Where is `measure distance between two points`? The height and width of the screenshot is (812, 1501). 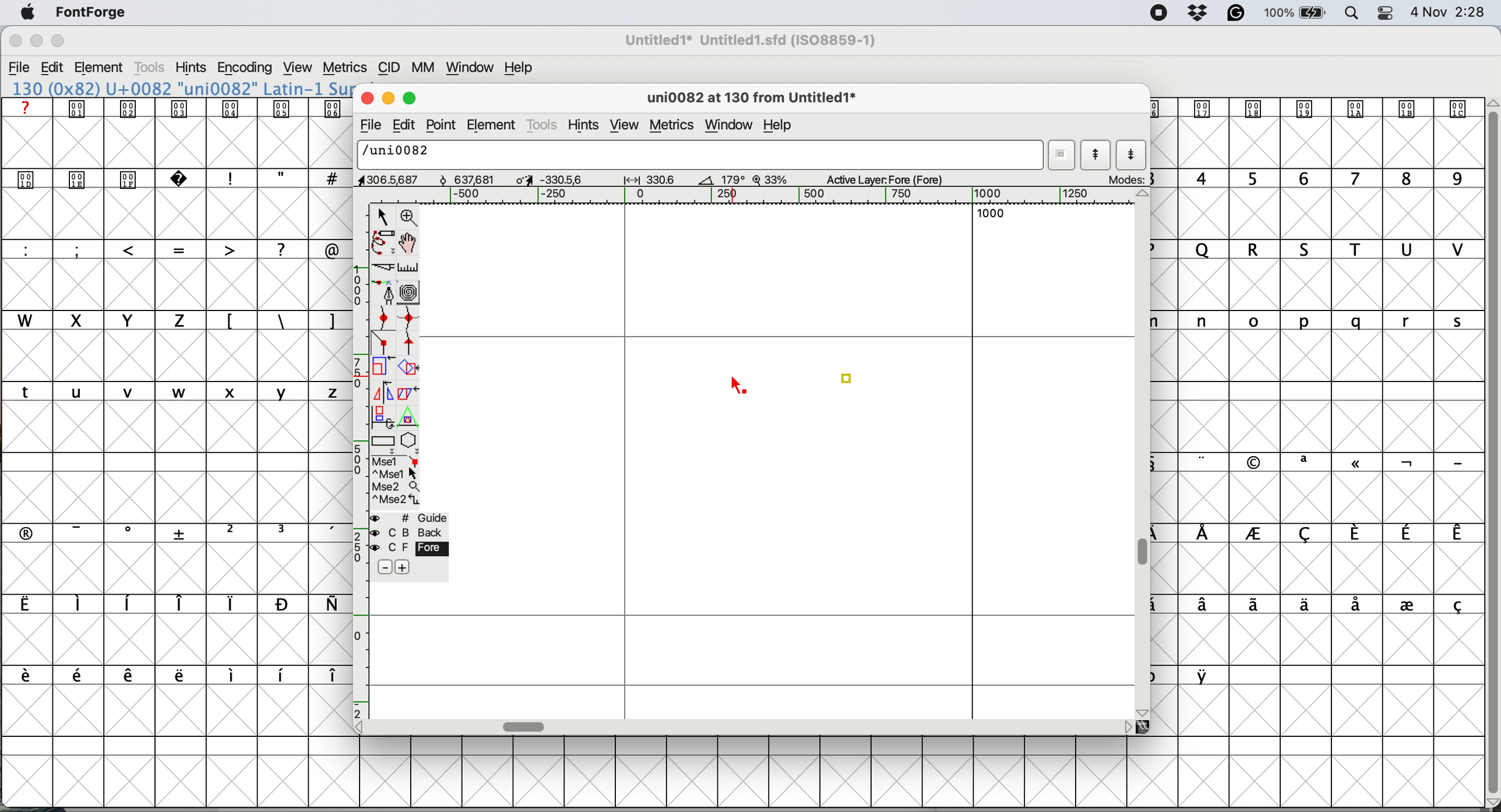
measure distance between two points is located at coordinates (409, 270).